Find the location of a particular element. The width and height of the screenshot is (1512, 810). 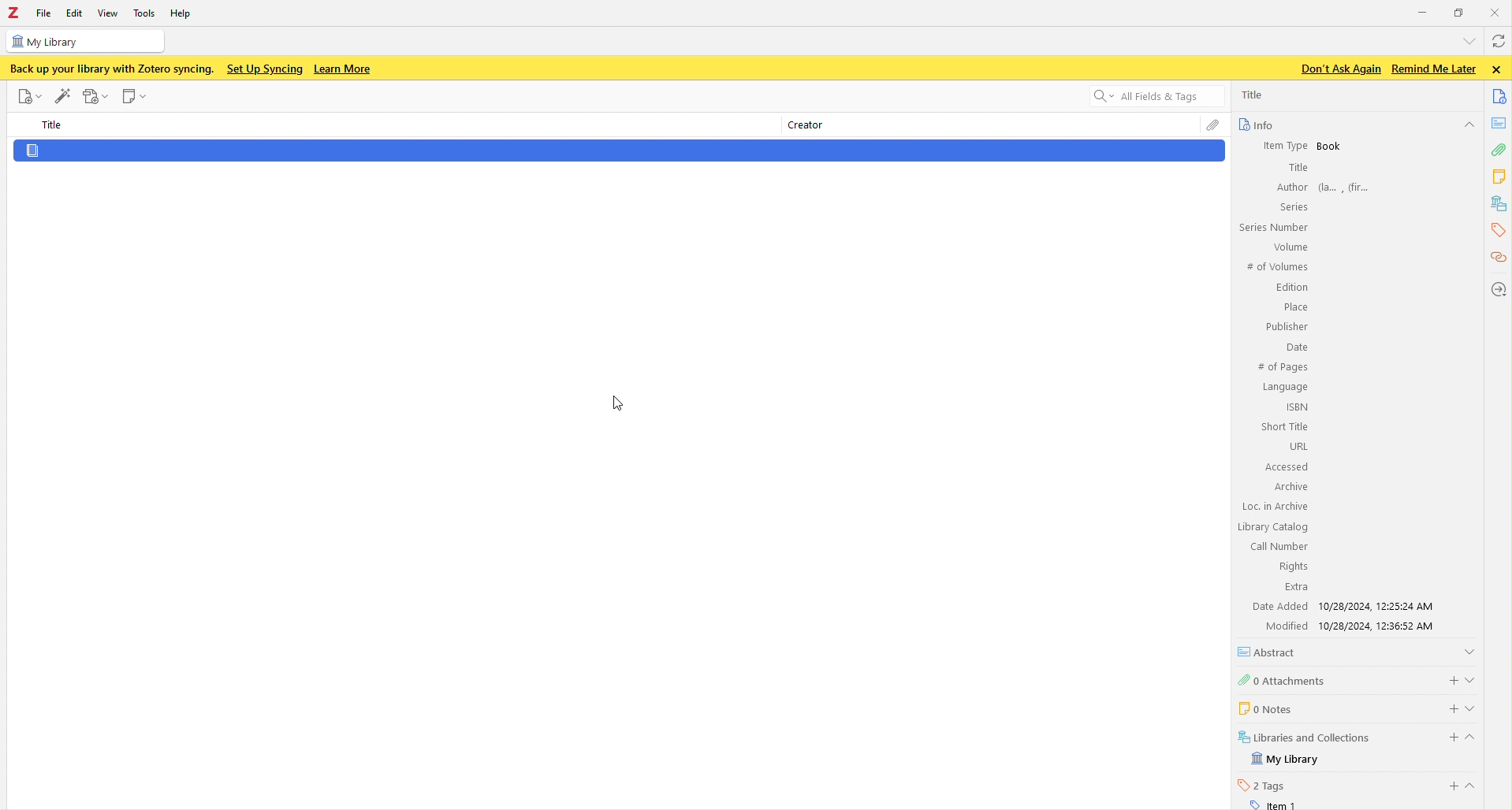

Library Catalog is located at coordinates (1274, 527).